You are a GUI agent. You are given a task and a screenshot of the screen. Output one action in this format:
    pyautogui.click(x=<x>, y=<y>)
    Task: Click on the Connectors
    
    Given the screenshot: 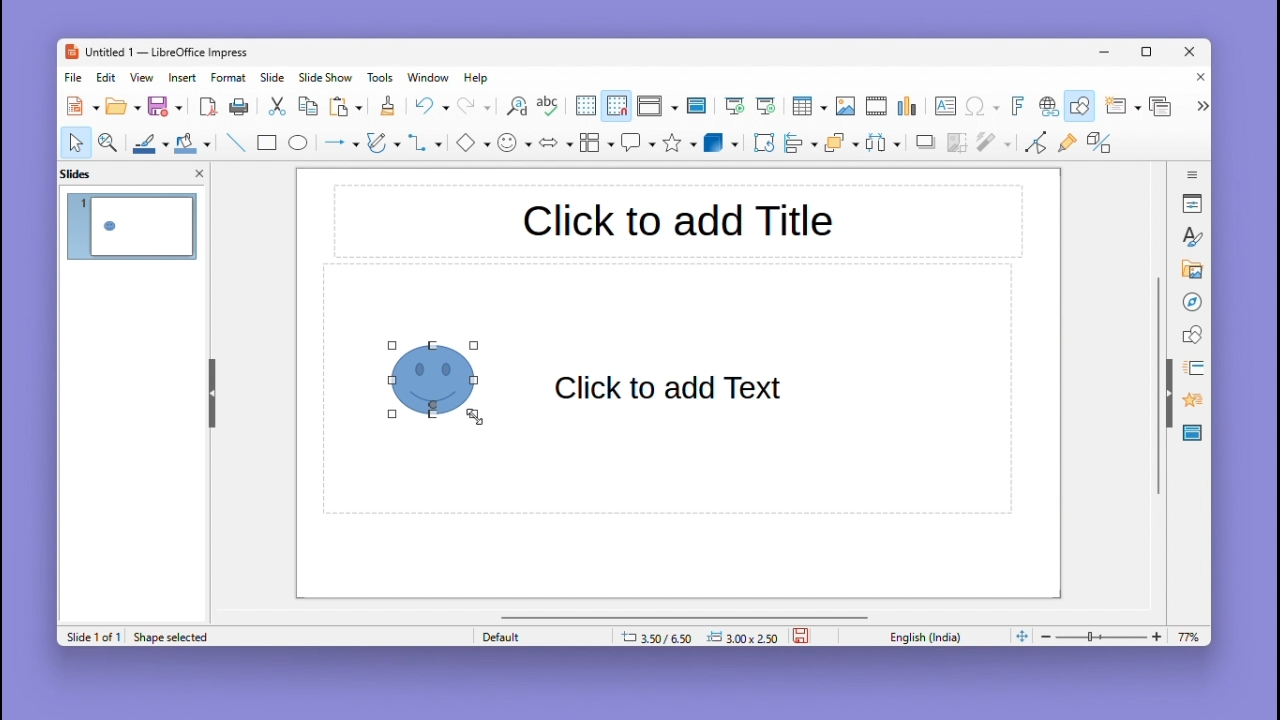 What is the action you would take?
    pyautogui.click(x=425, y=142)
    